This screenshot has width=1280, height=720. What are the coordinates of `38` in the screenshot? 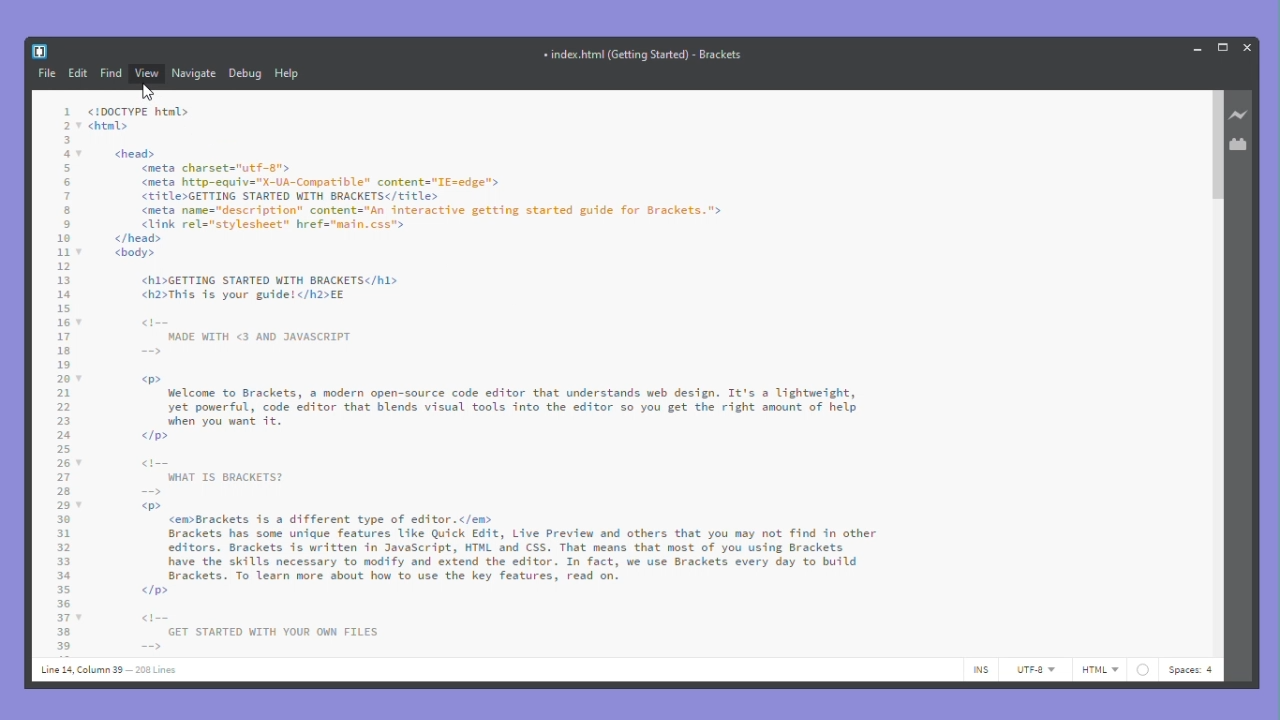 It's located at (63, 633).